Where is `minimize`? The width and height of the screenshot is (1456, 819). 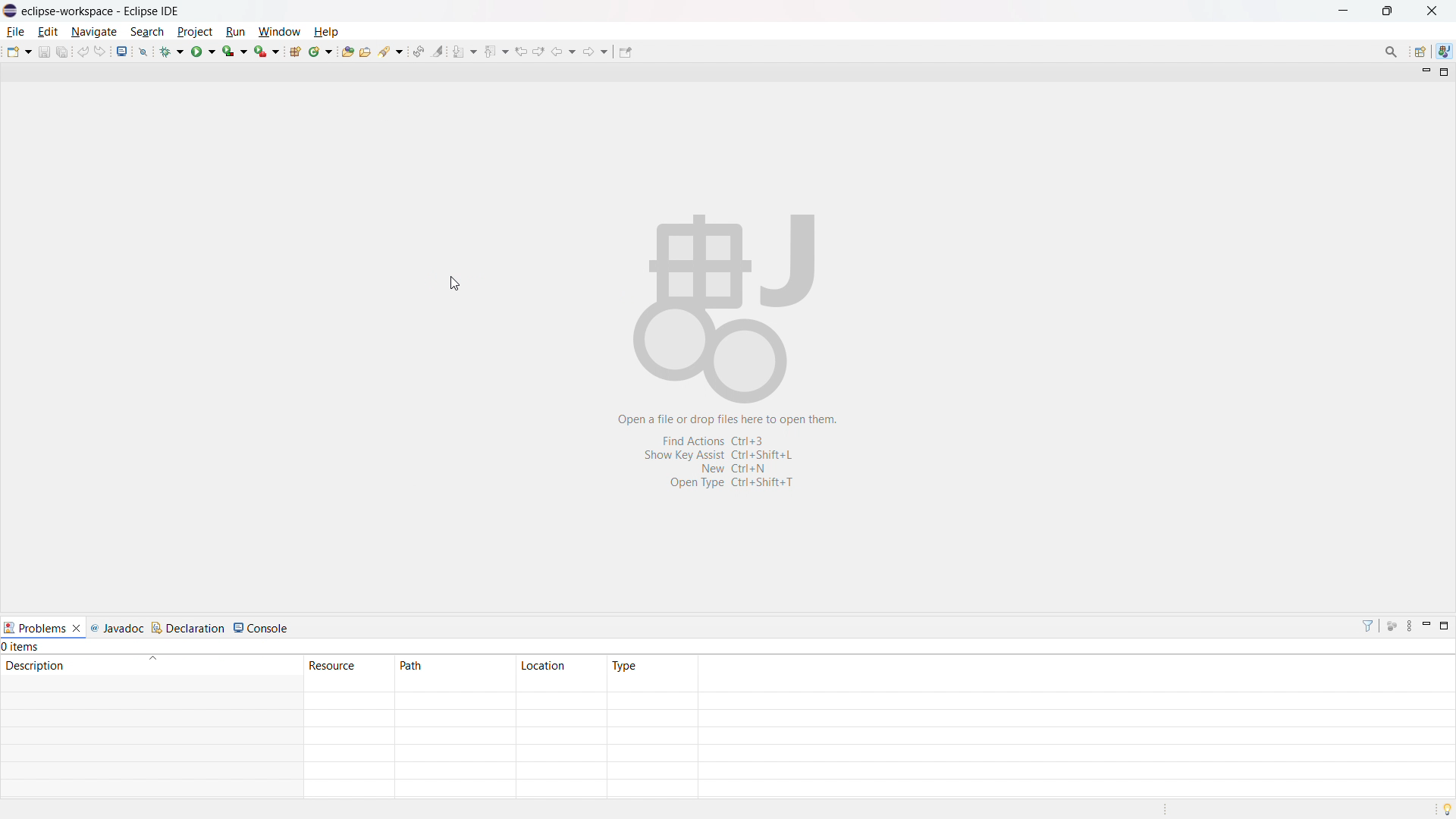 minimize is located at coordinates (1345, 11).